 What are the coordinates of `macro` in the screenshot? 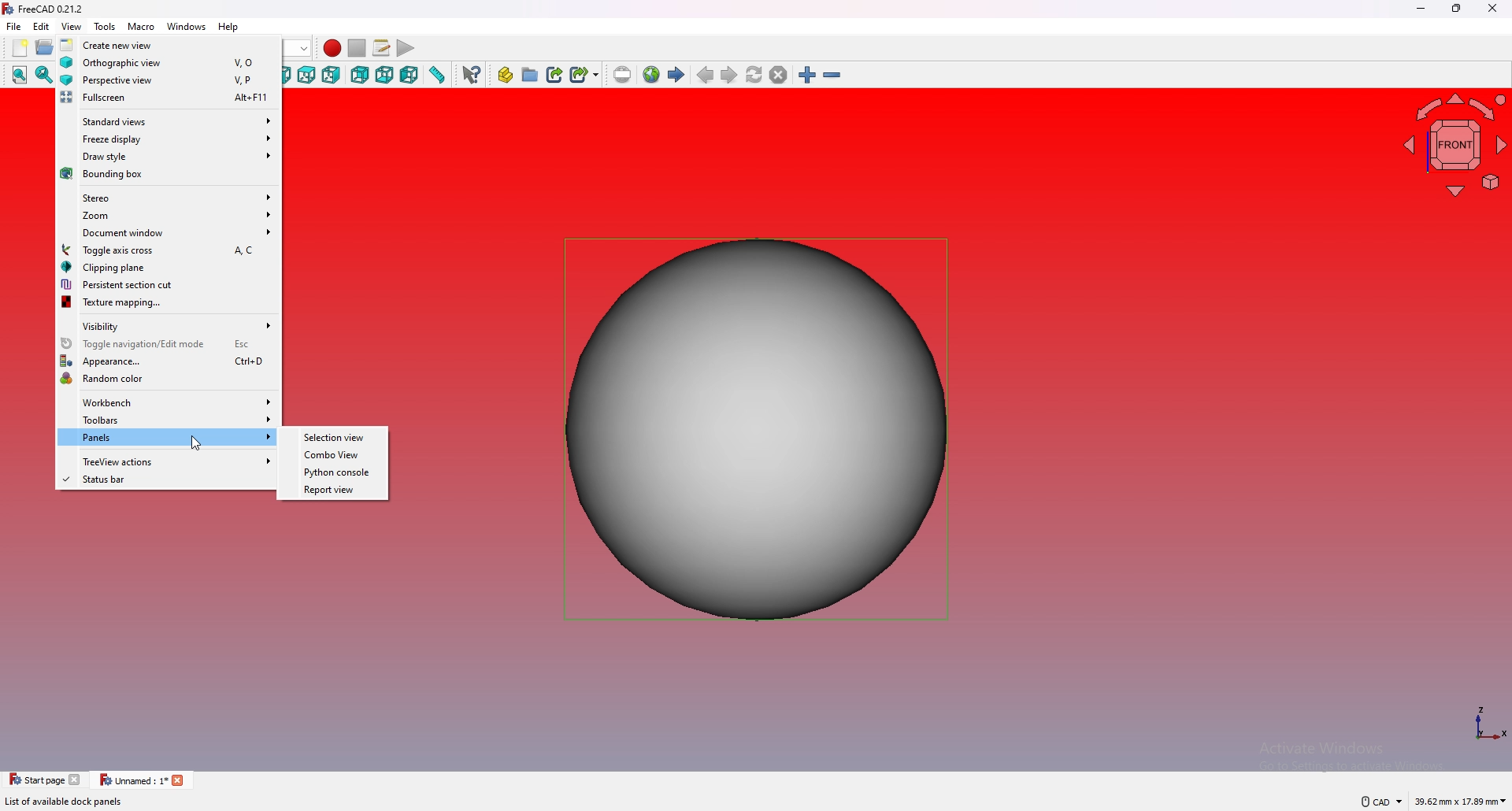 It's located at (141, 27).